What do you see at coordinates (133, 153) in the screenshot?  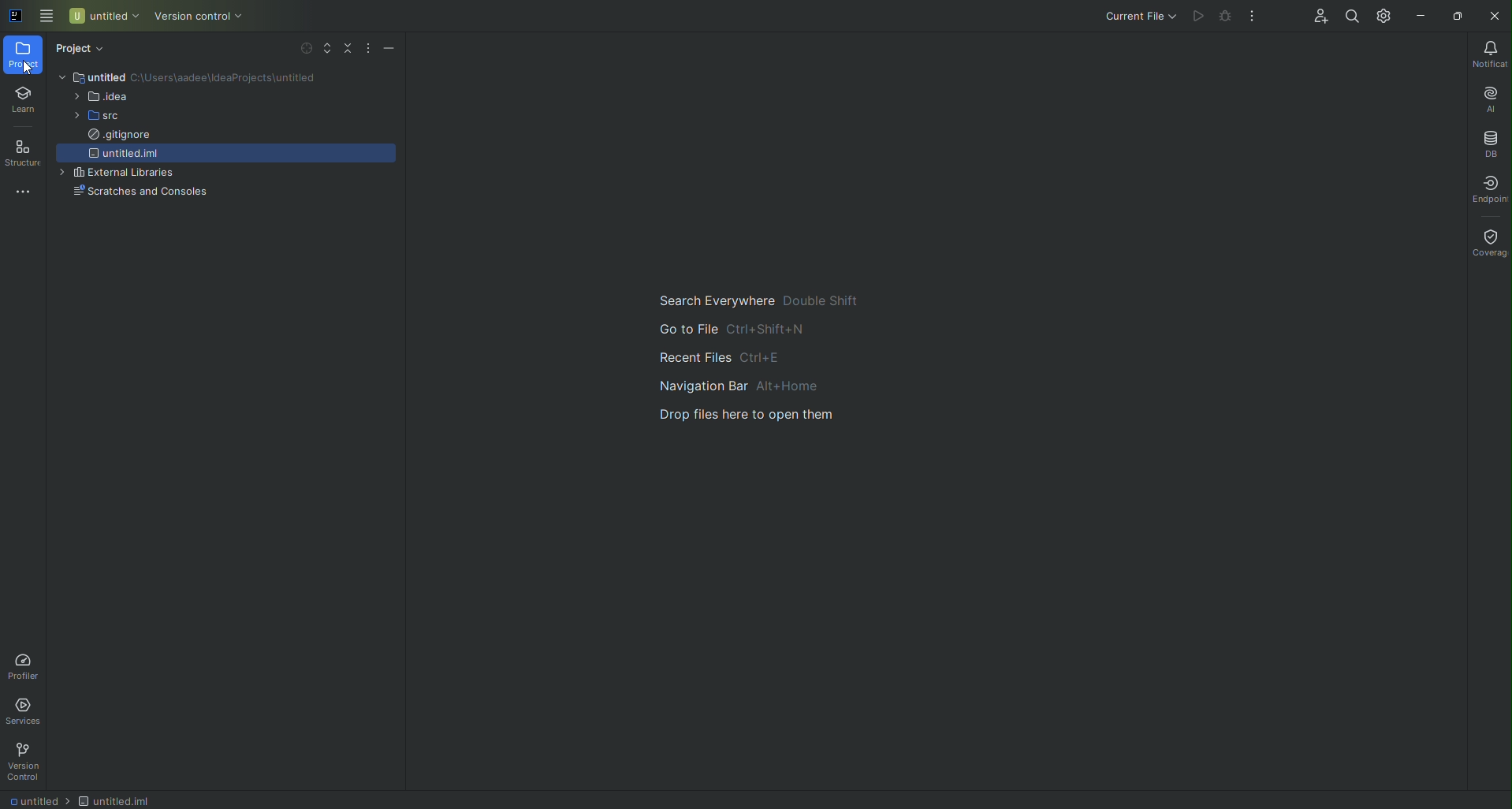 I see `untitled` at bounding box center [133, 153].